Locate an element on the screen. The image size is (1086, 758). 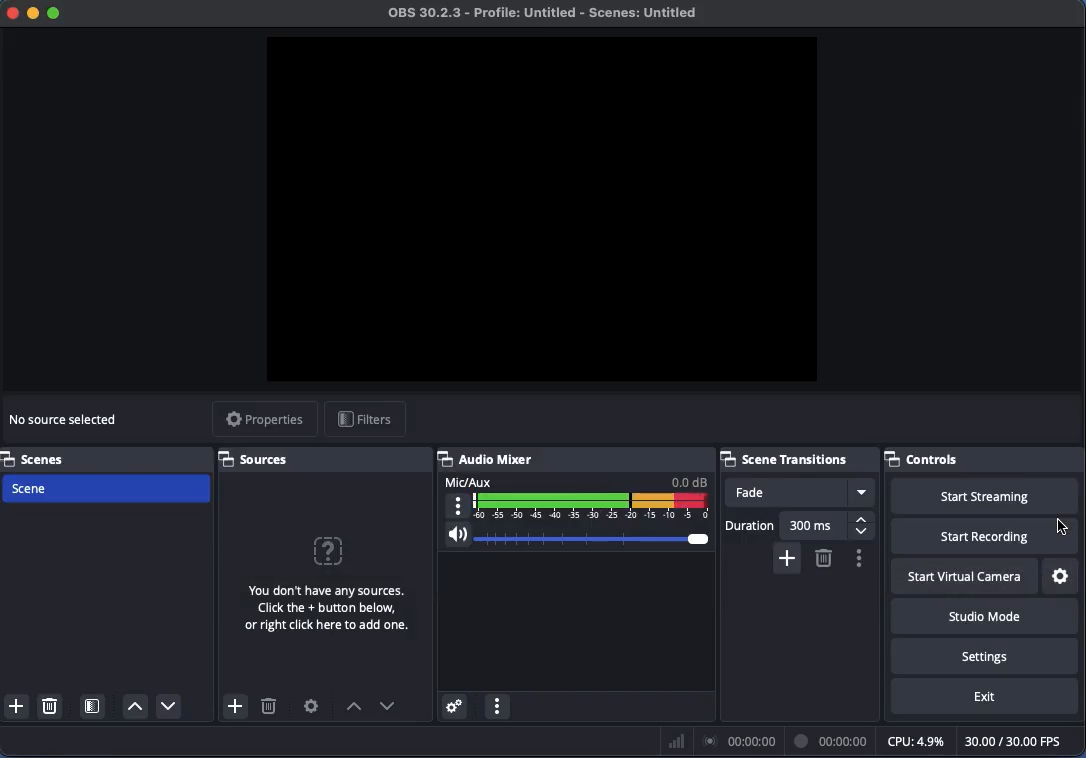
Scenes is located at coordinates (39, 457).